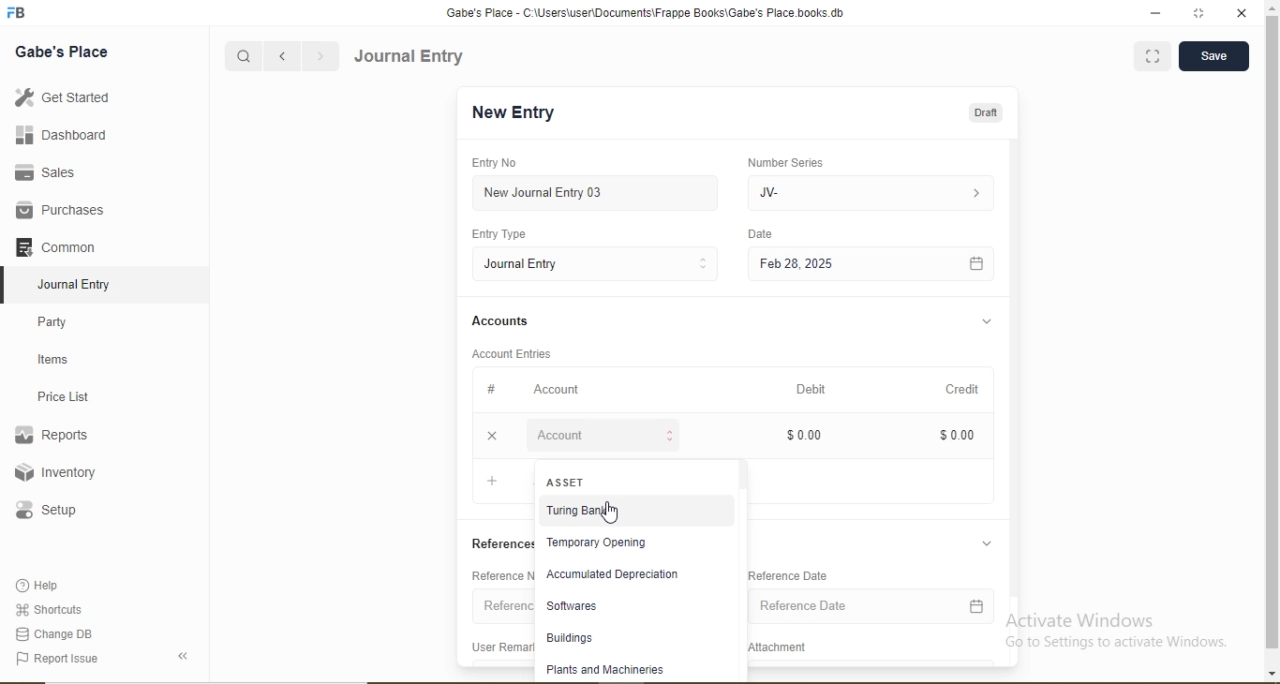 This screenshot has height=684, width=1280. I want to click on Debit, so click(814, 389).